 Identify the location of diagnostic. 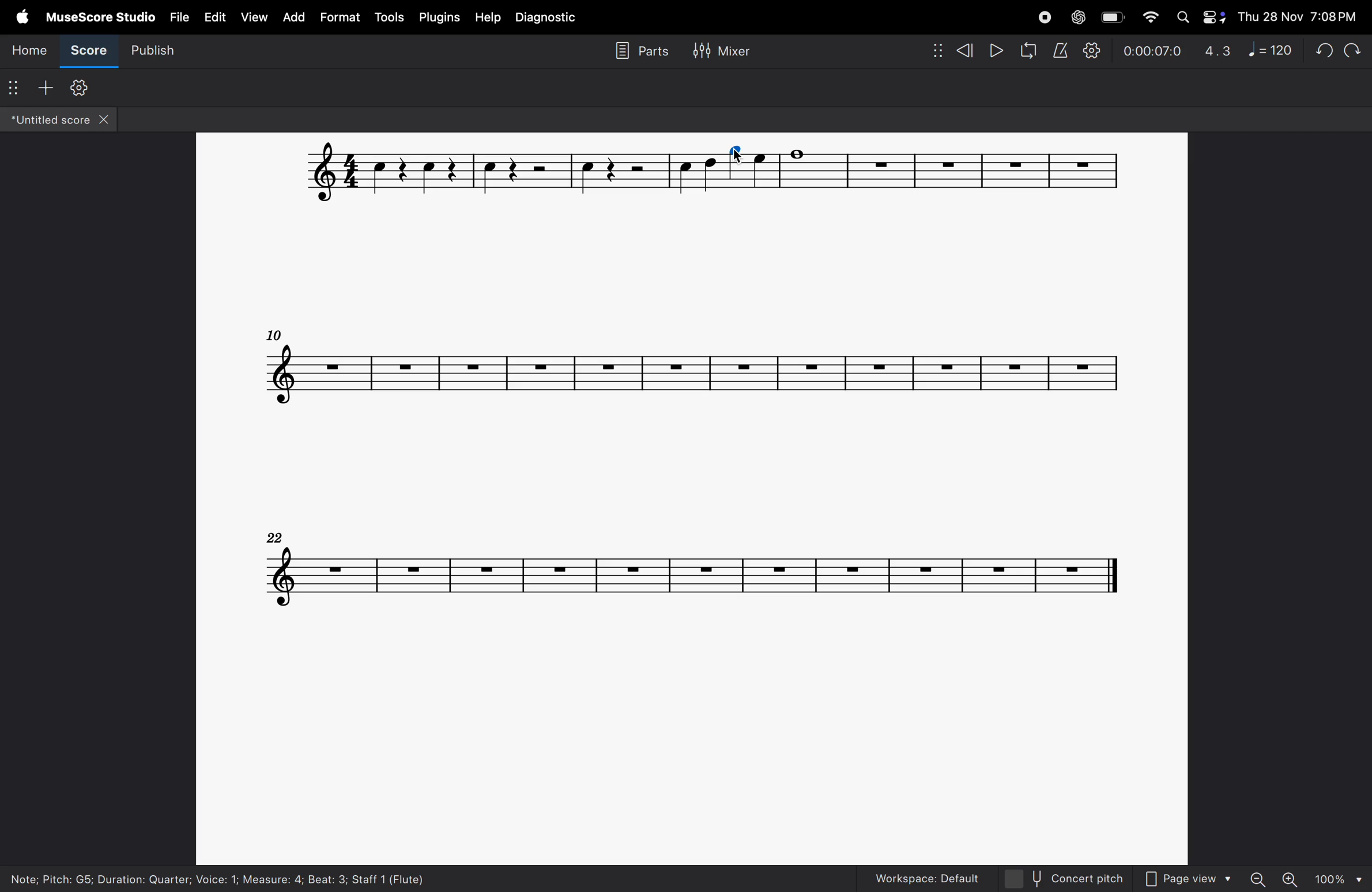
(551, 18).